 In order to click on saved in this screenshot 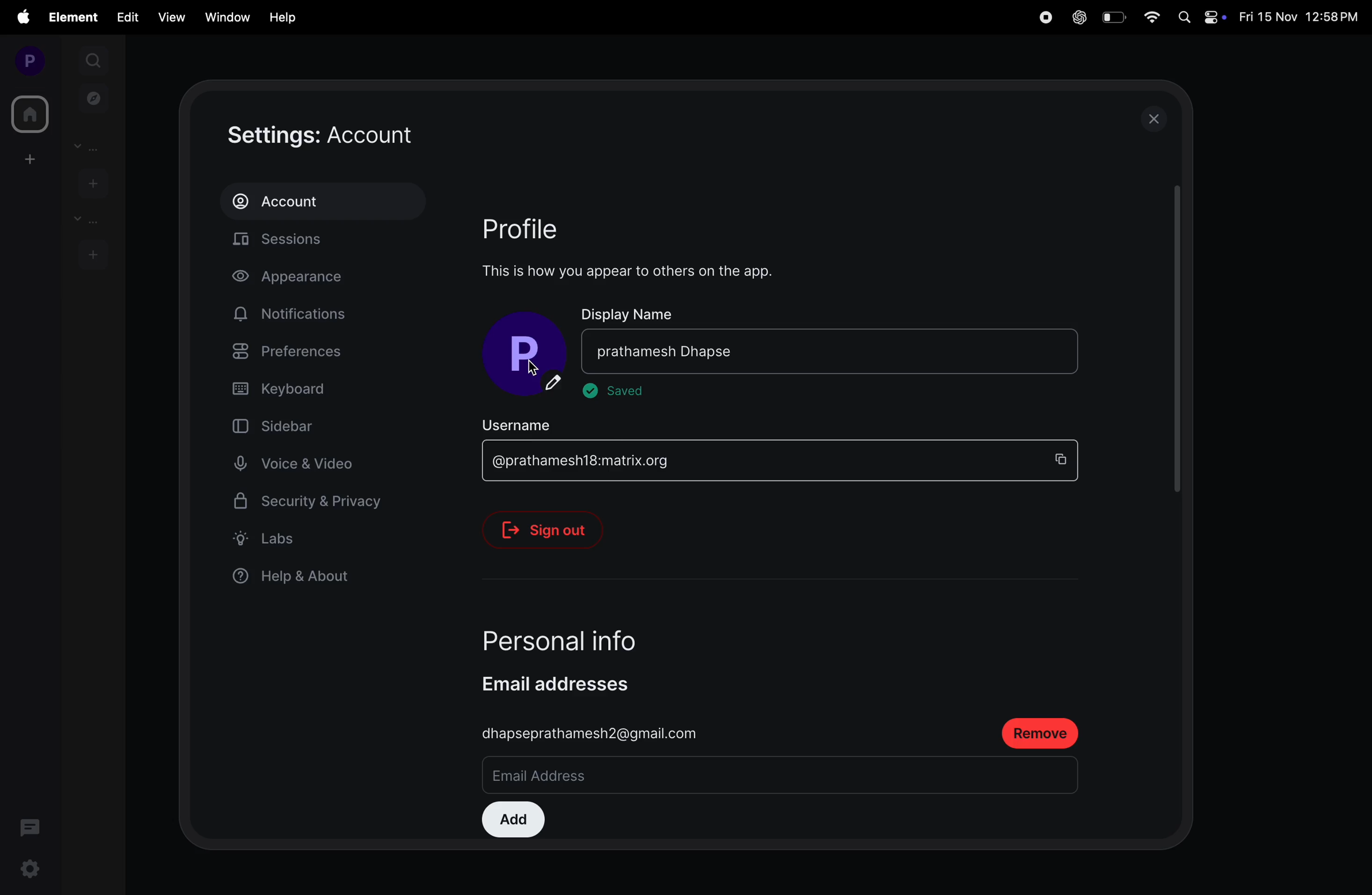, I will do `click(622, 393)`.